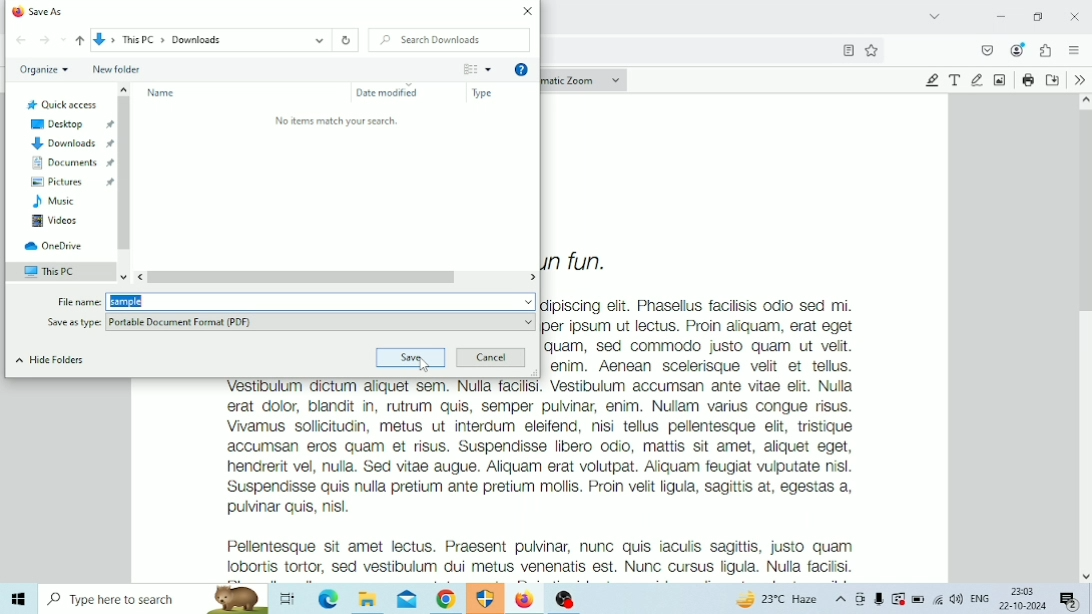  Describe the element at coordinates (491, 358) in the screenshot. I see `Cancel` at that location.